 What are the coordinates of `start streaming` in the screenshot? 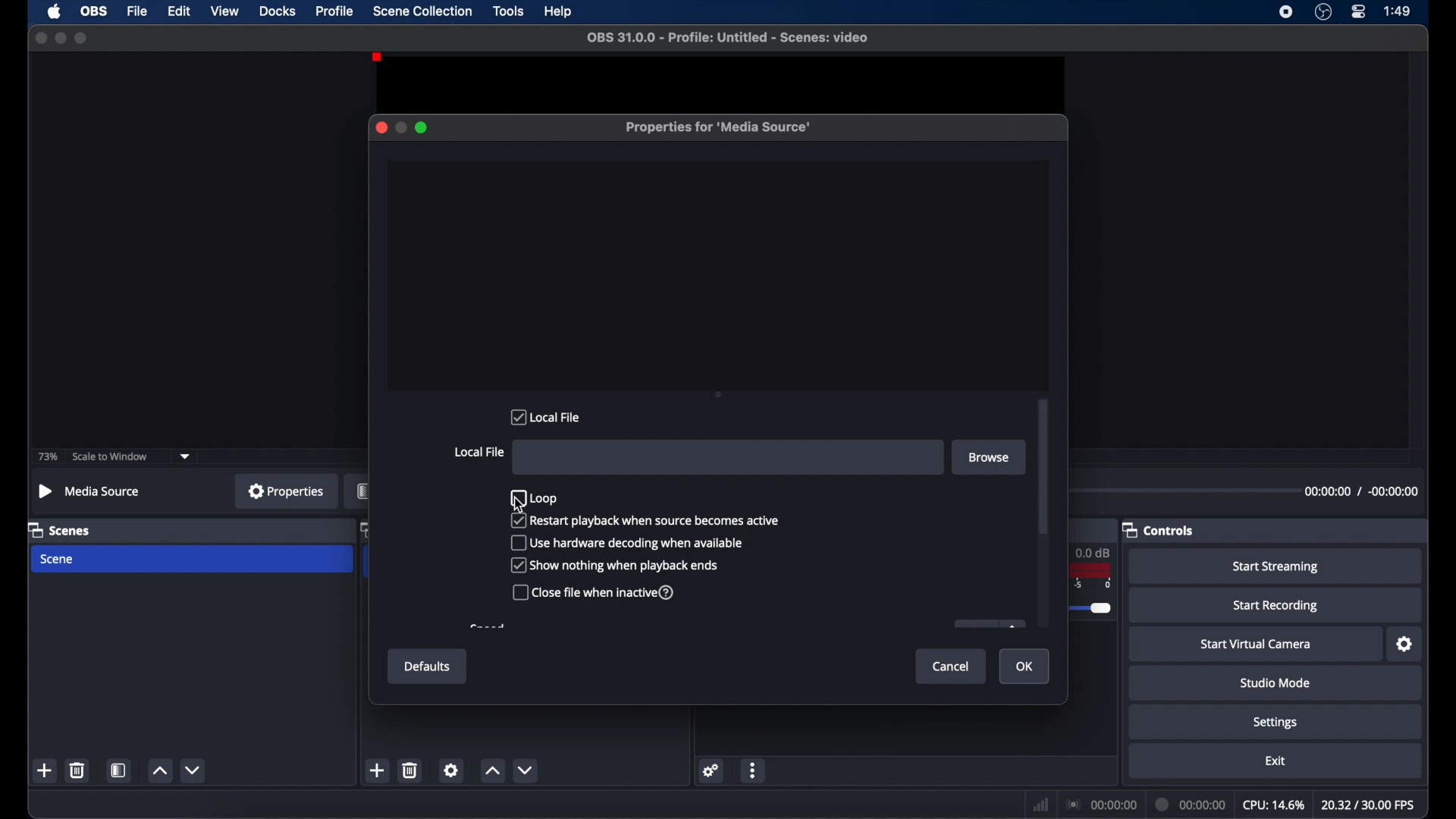 It's located at (1277, 567).